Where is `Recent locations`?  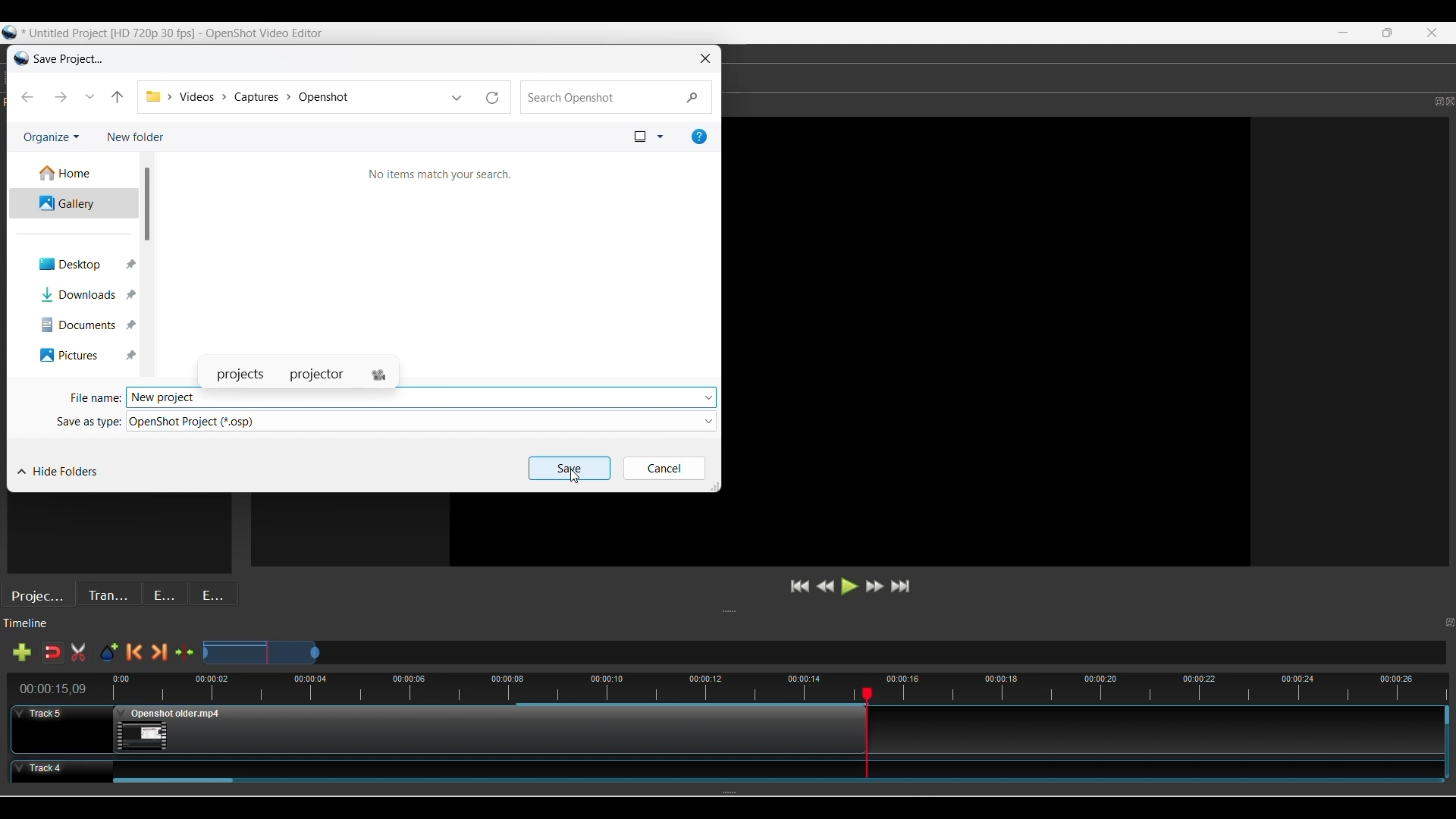
Recent locations is located at coordinates (90, 97).